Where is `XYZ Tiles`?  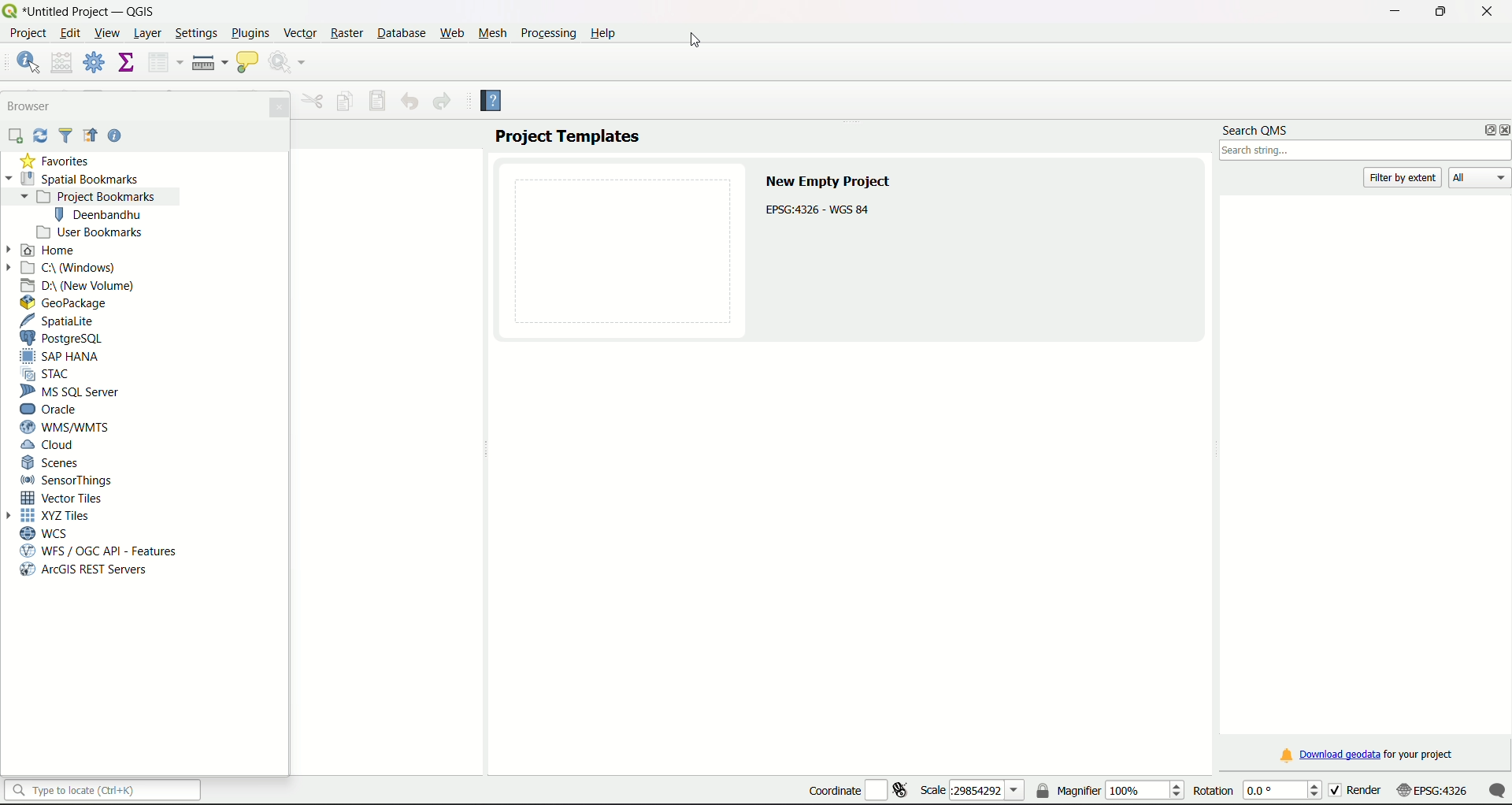
XYZ Tiles is located at coordinates (57, 512).